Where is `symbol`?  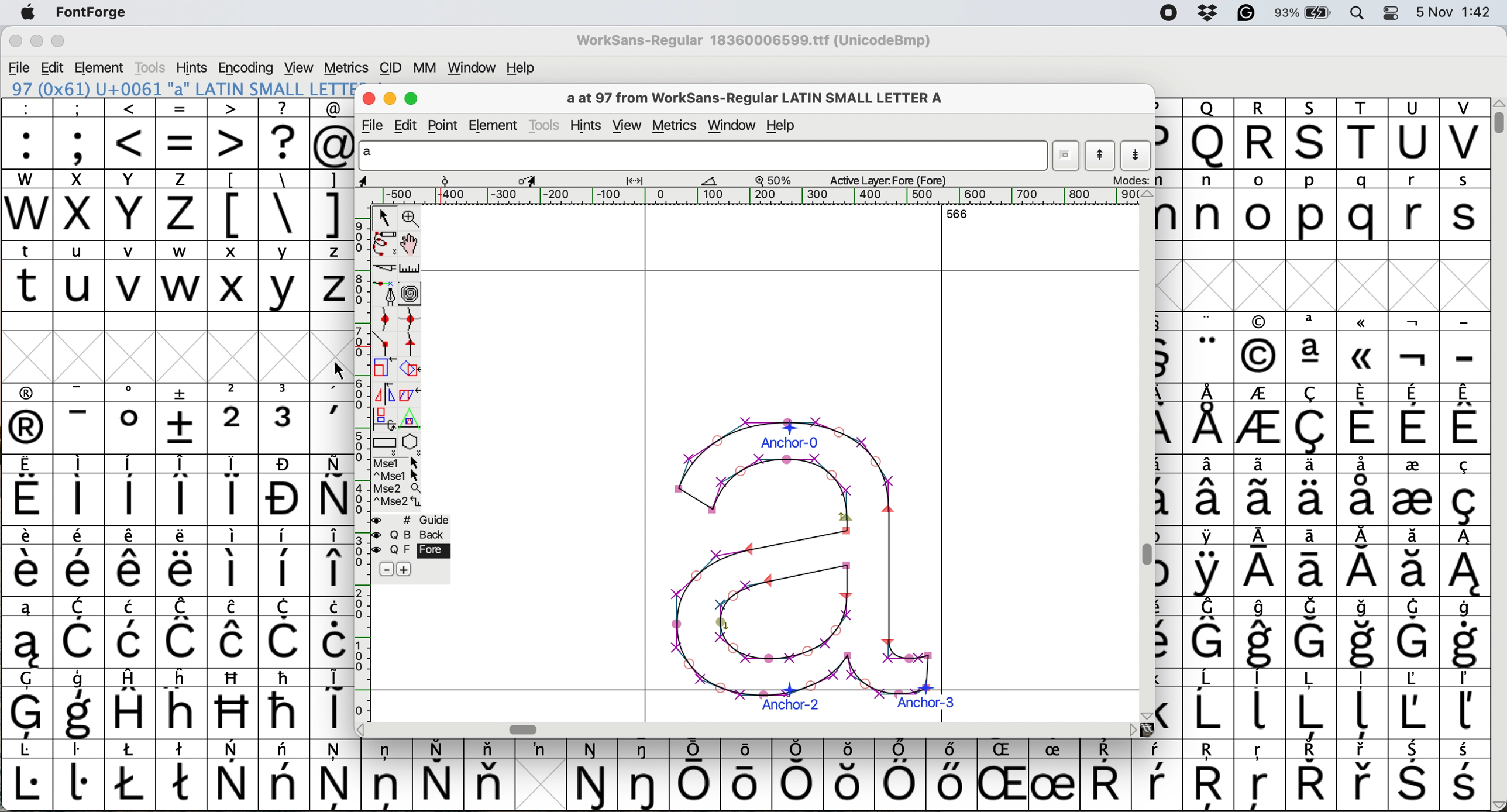
symbol is located at coordinates (1466, 418).